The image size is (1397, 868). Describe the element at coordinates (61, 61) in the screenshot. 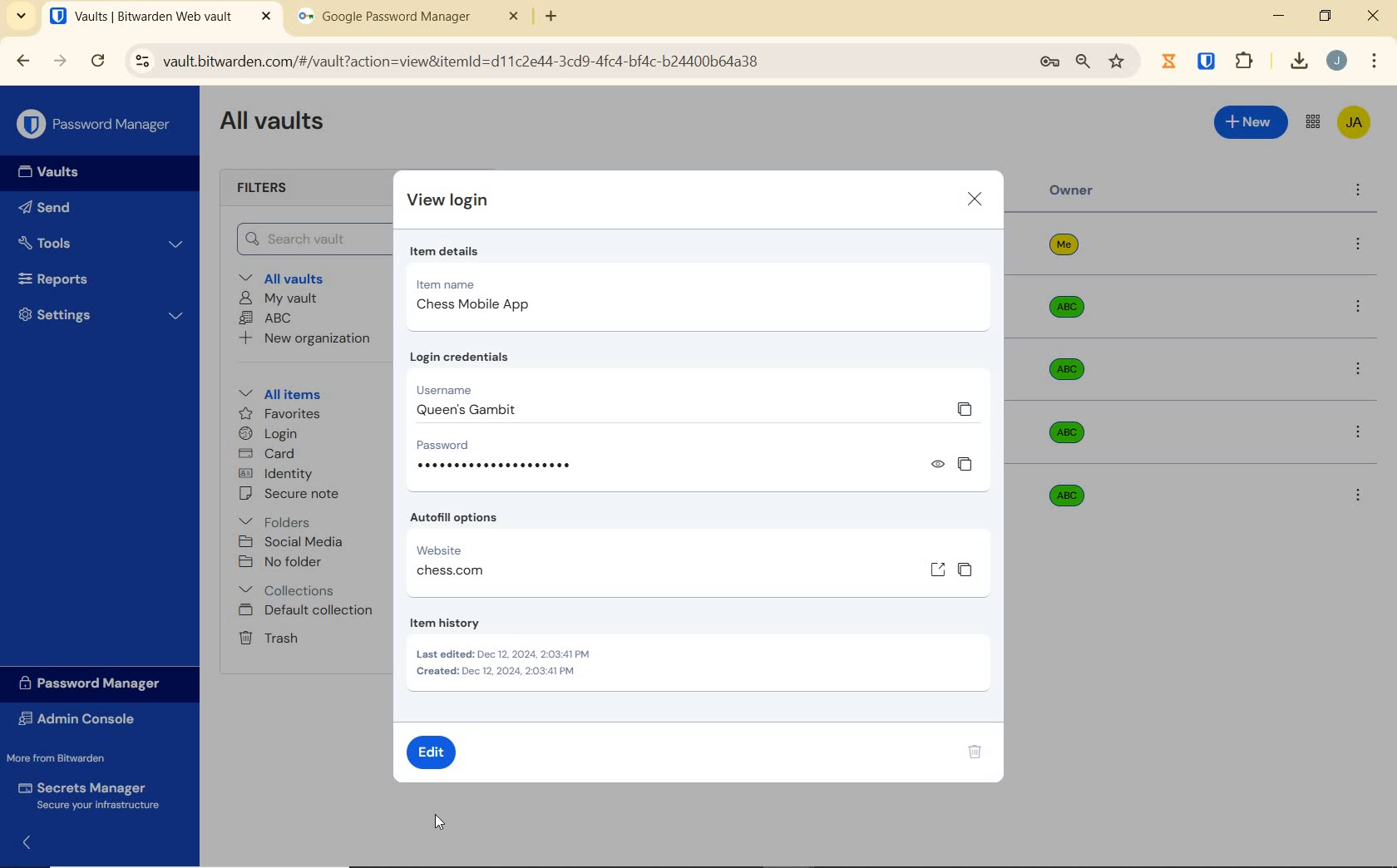

I see `forward` at that location.